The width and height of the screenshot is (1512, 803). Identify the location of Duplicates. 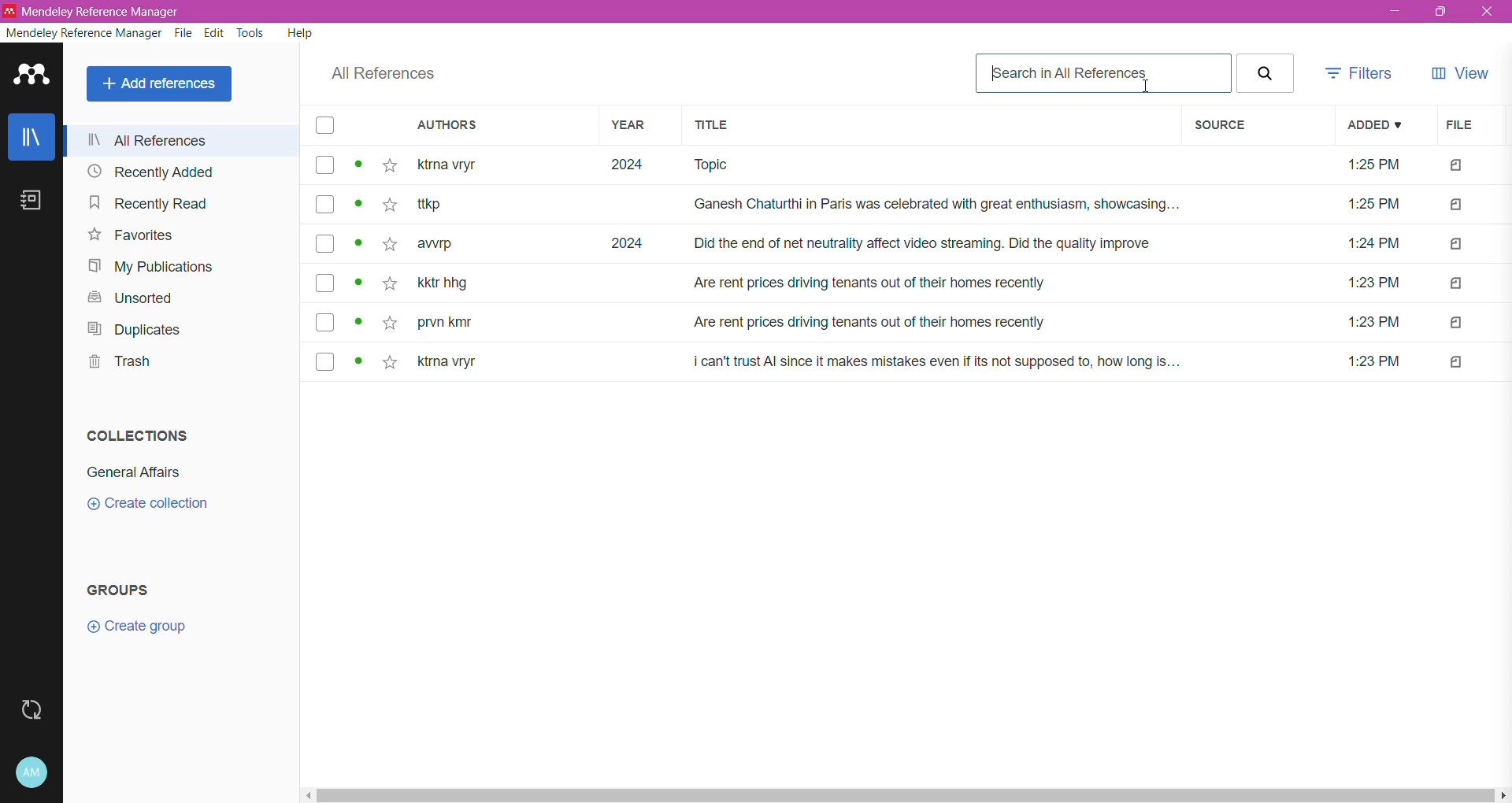
(143, 330).